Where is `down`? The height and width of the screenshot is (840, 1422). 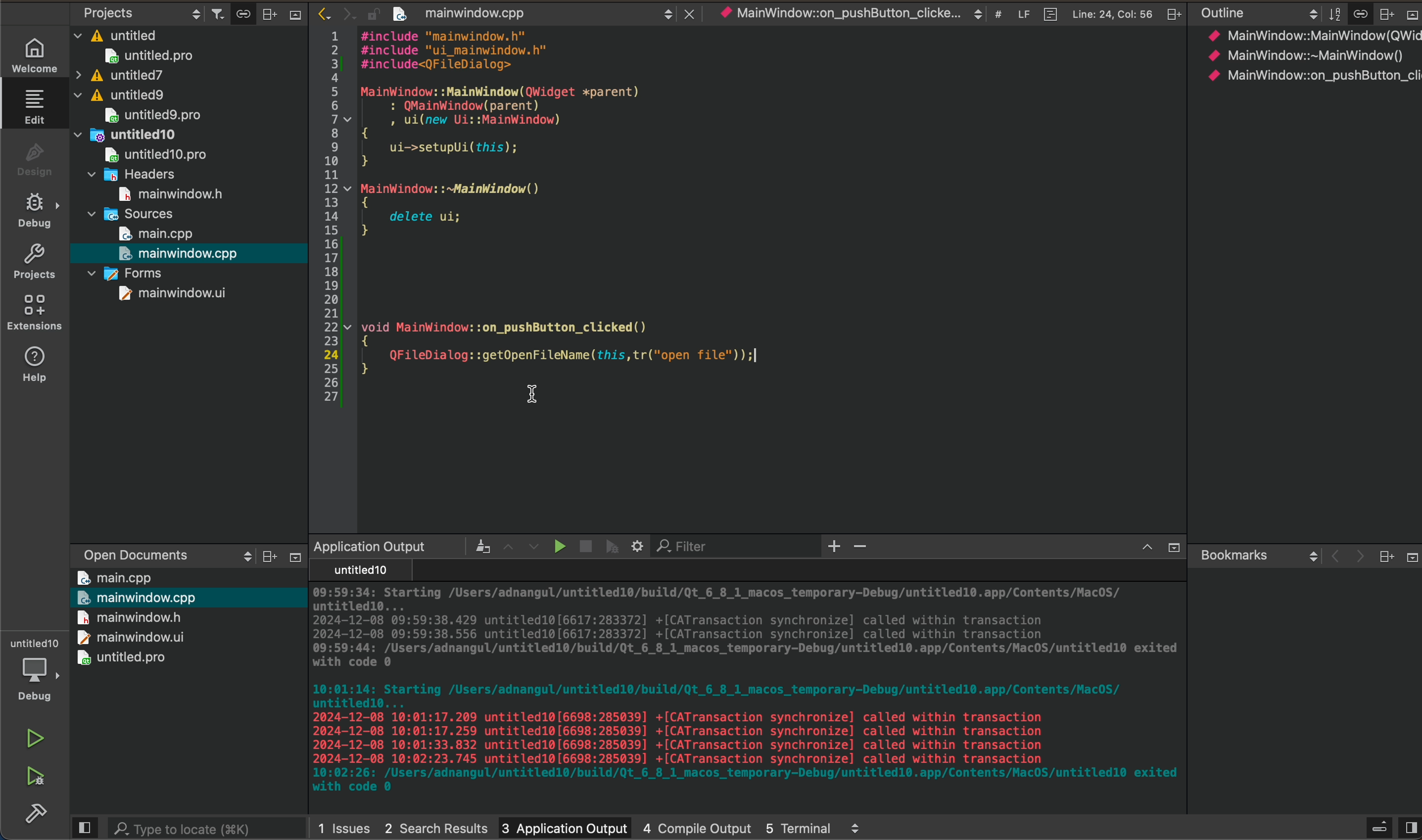 down is located at coordinates (534, 547).